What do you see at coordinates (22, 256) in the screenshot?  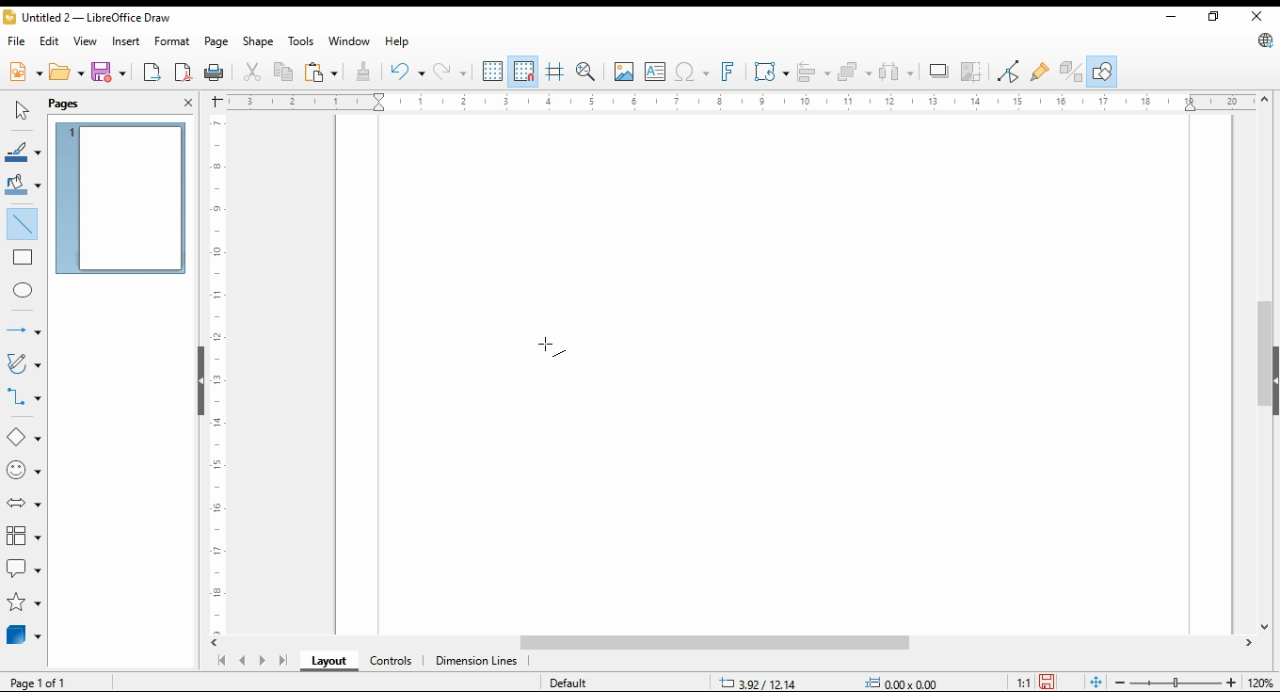 I see `rectangle` at bounding box center [22, 256].